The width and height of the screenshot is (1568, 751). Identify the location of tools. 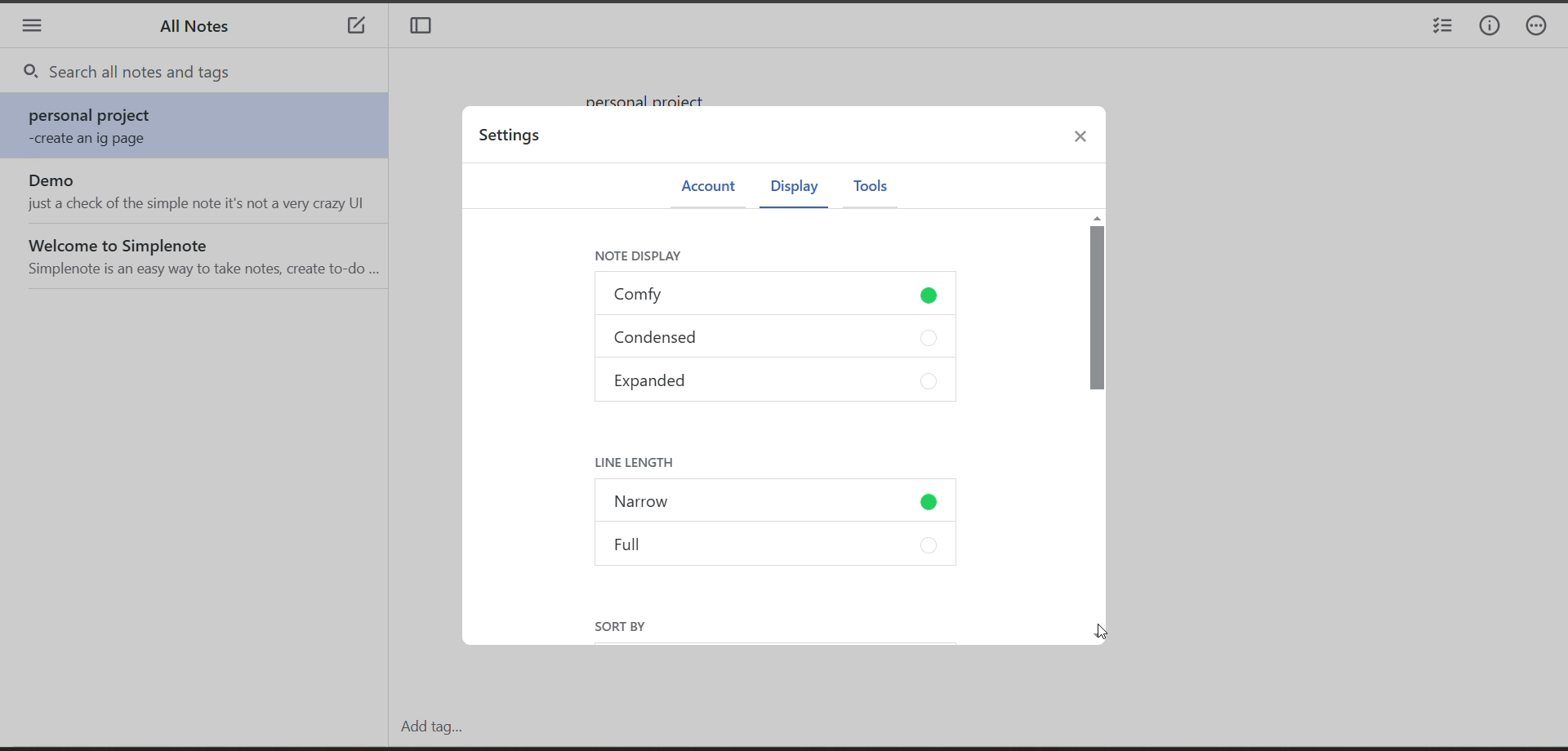
(870, 188).